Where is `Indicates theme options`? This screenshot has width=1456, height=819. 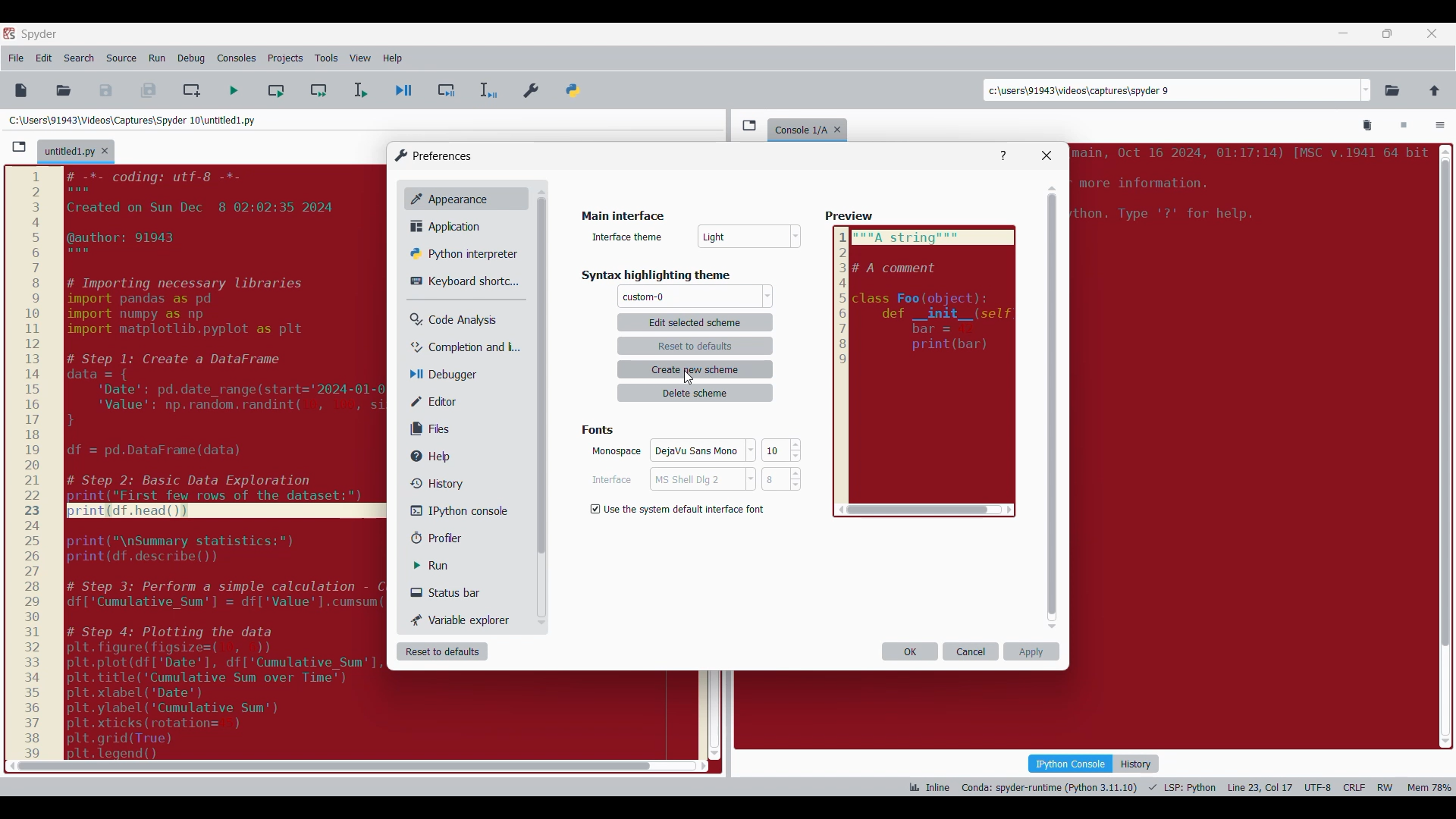
Indicates theme options is located at coordinates (627, 237).